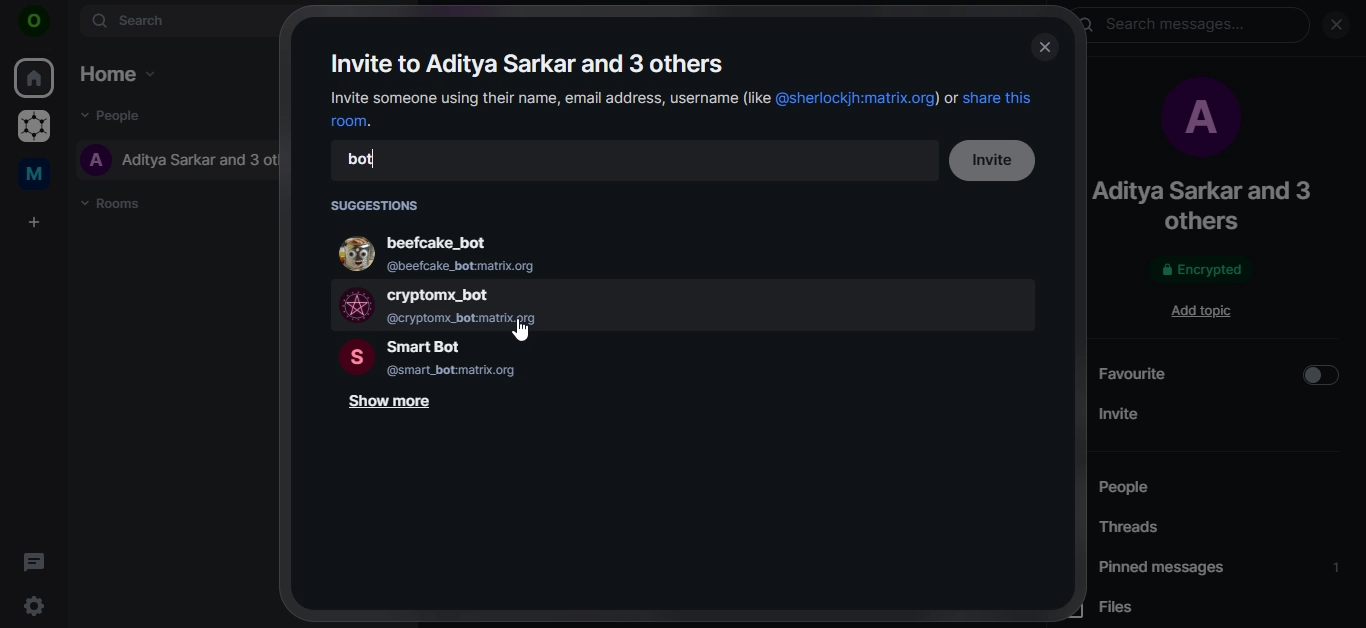 This screenshot has width=1366, height=628. I want to click on icon, so click(34, 24).